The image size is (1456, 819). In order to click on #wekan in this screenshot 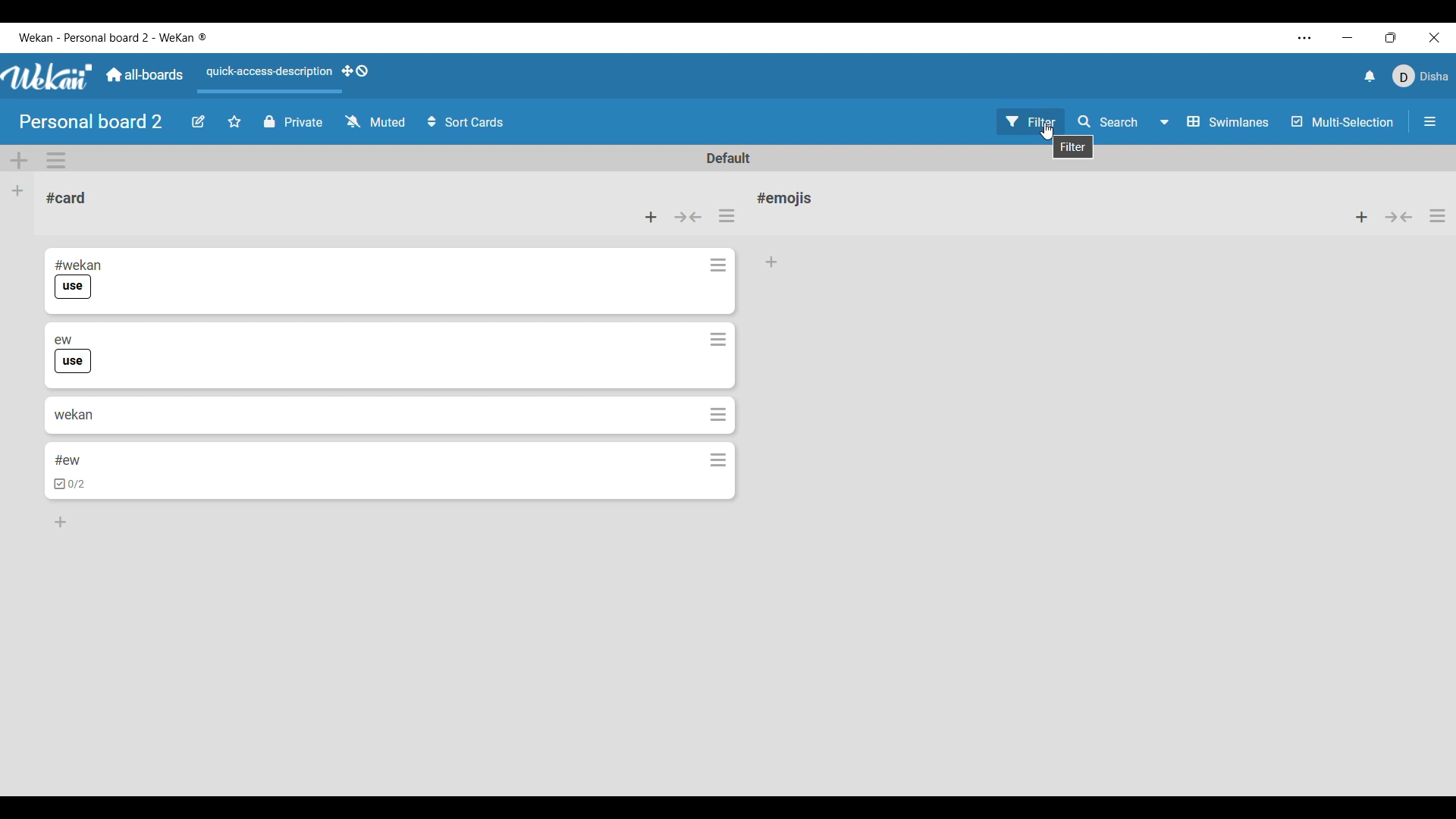, I will do `click(79, 264)`.